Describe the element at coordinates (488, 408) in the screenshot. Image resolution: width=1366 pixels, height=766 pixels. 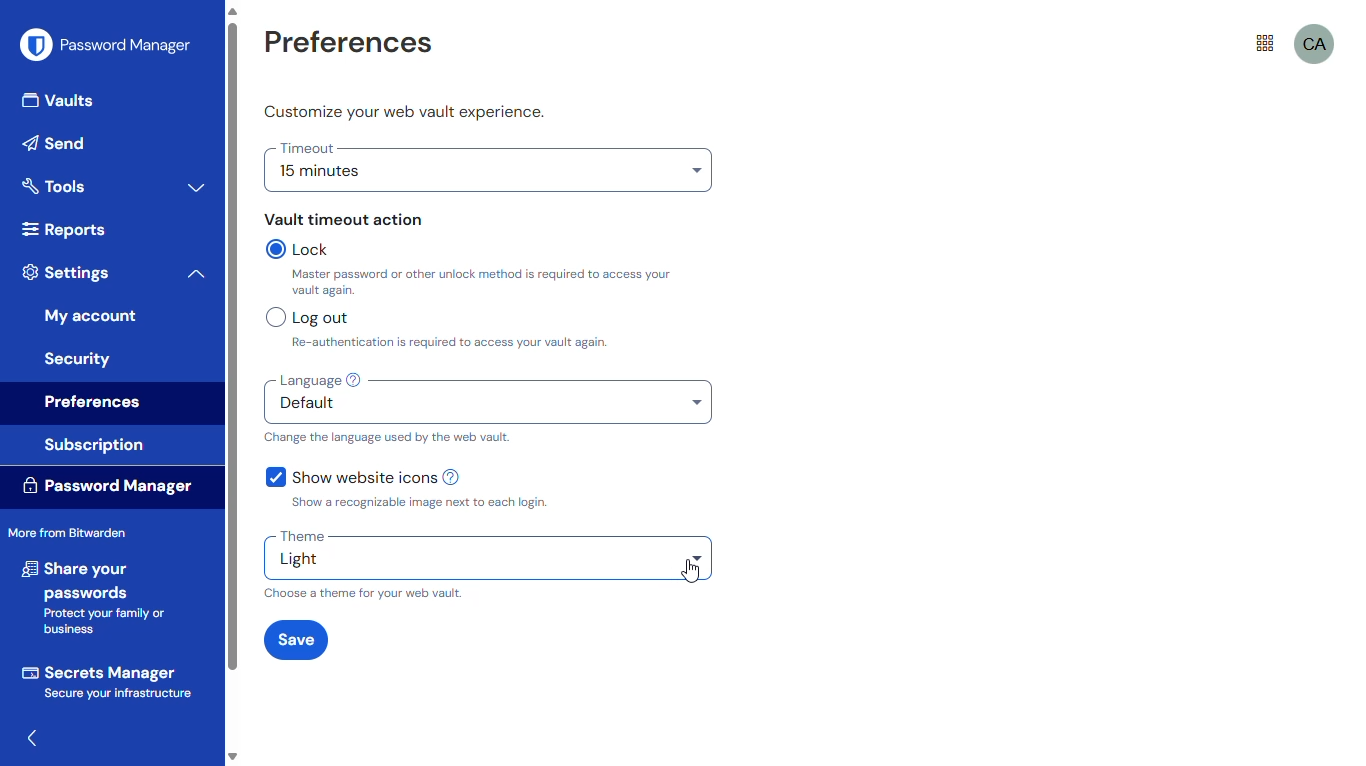
I see `default` at that location.